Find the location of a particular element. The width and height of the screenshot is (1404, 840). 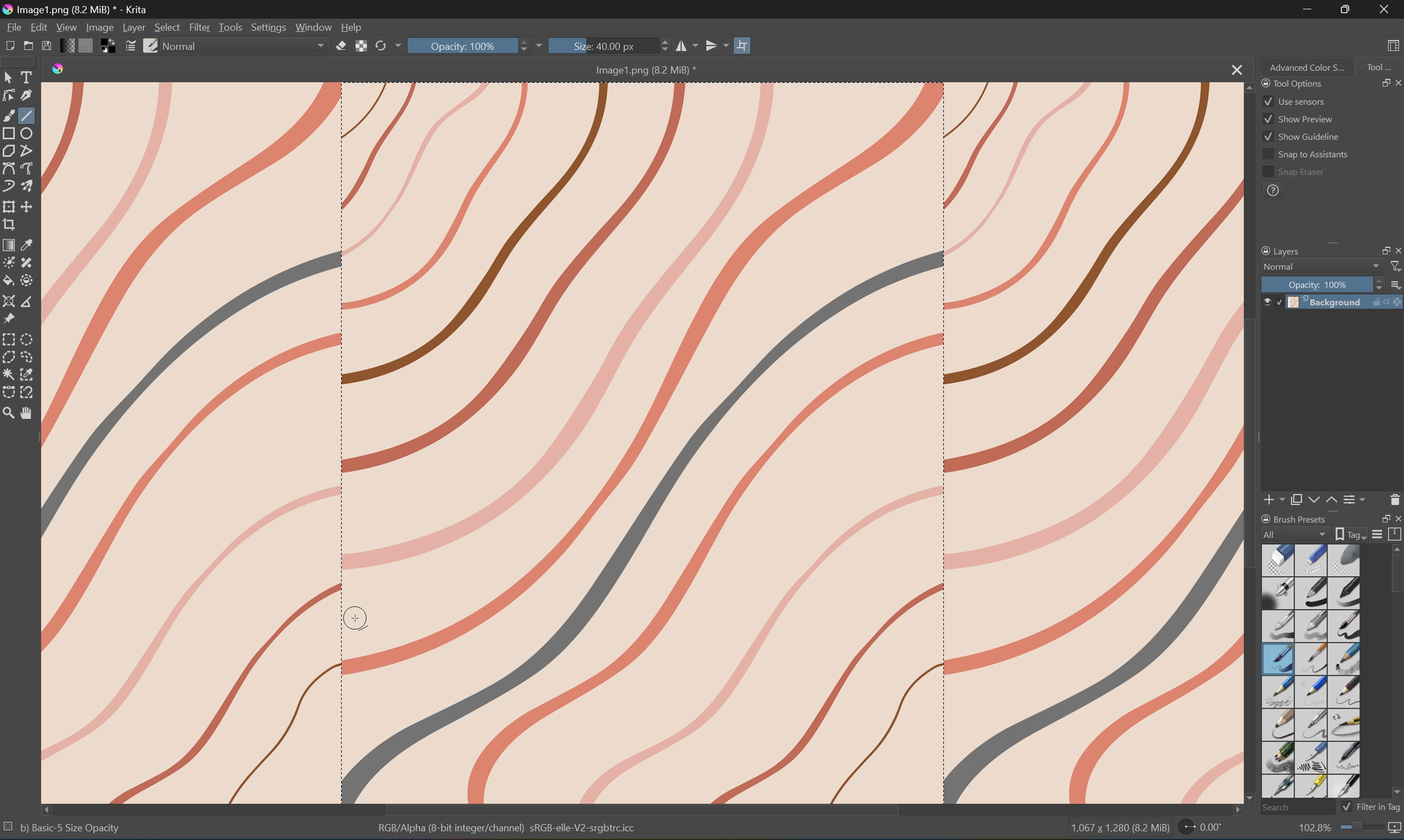

Restore Down is located at coordinates (1379, 83).